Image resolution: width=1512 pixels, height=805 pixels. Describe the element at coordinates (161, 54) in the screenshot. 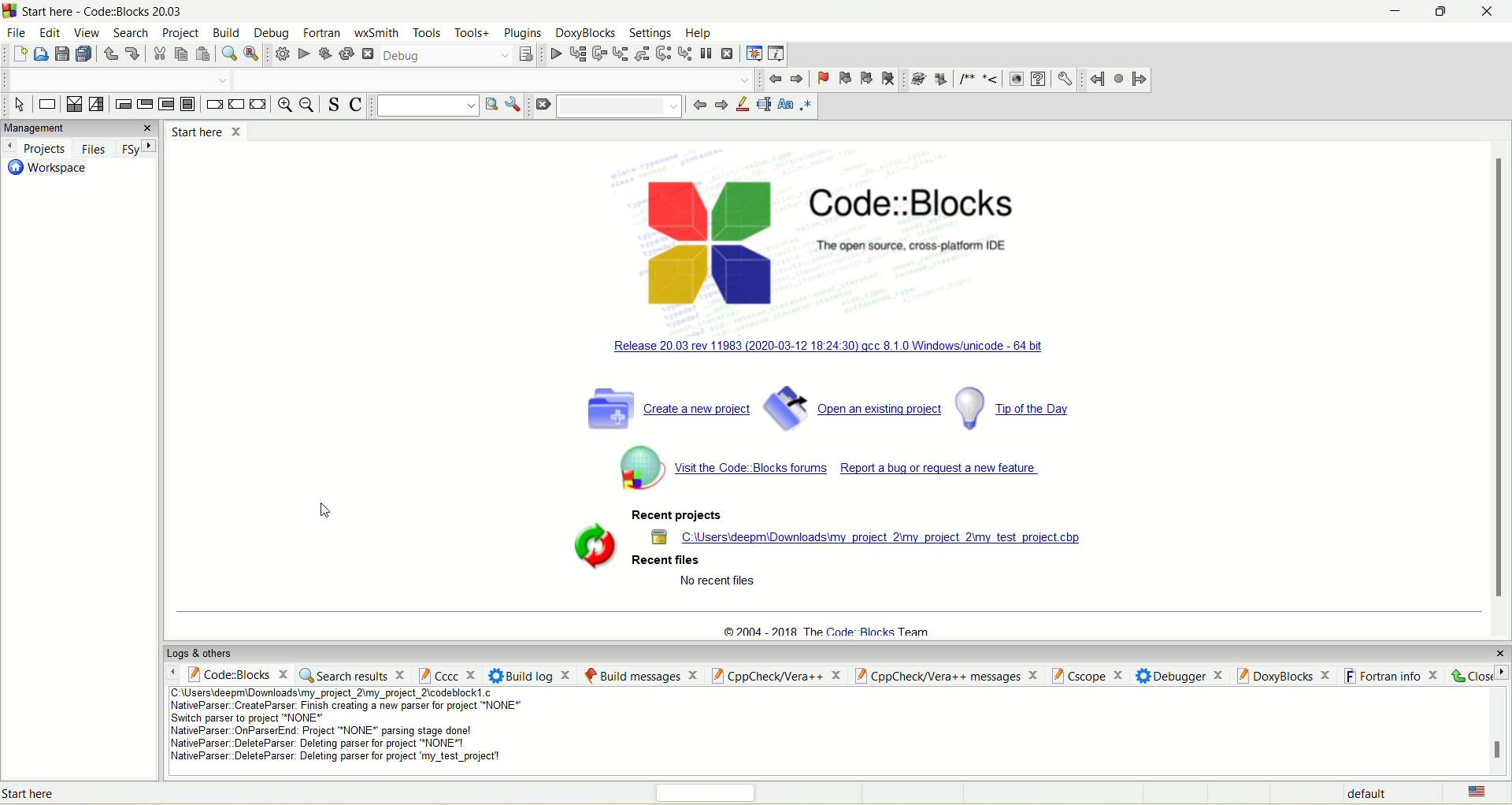

I see `cut` at that location.